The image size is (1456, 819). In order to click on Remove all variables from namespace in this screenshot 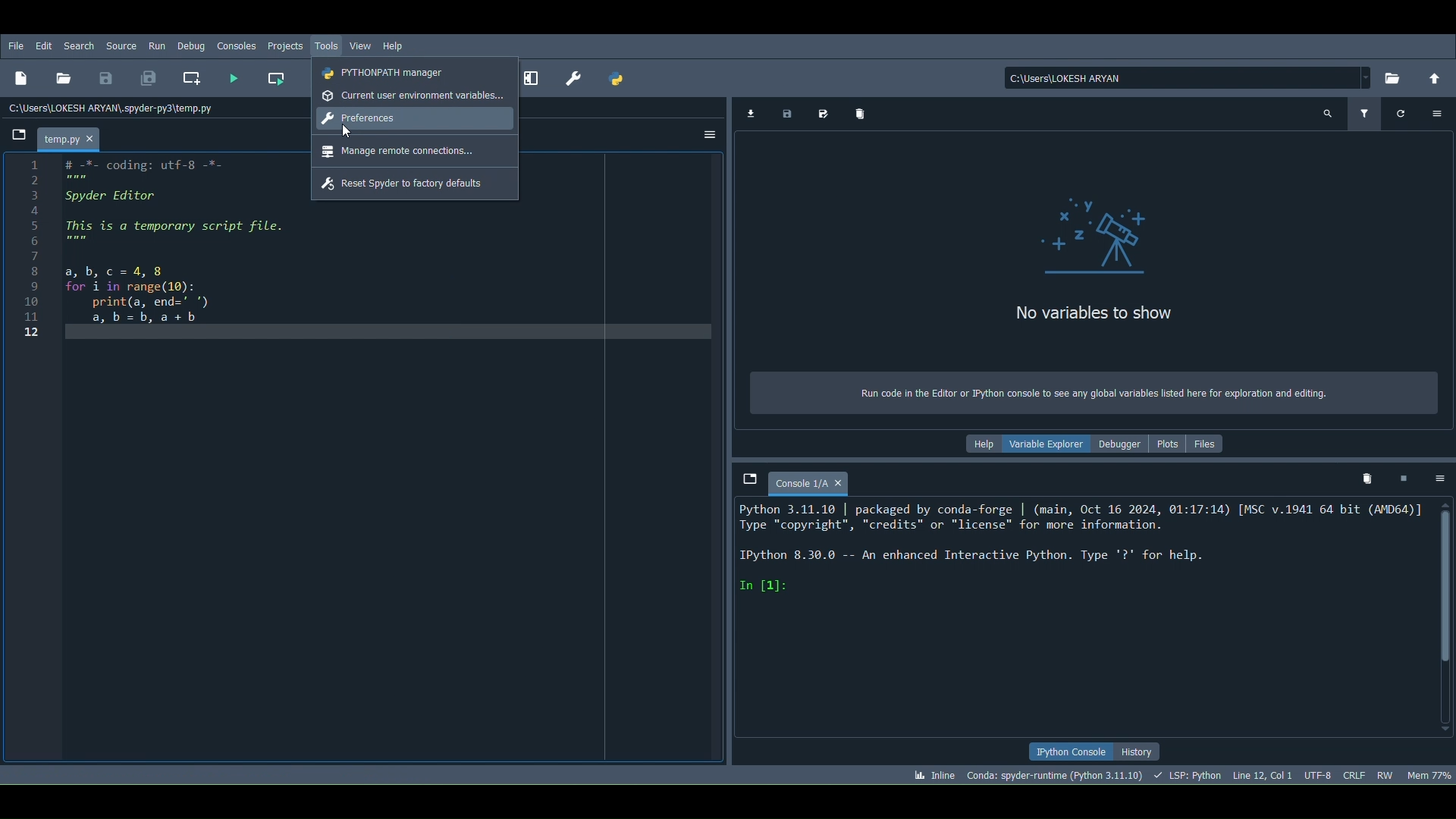, I will do `click(1367, 481)`.